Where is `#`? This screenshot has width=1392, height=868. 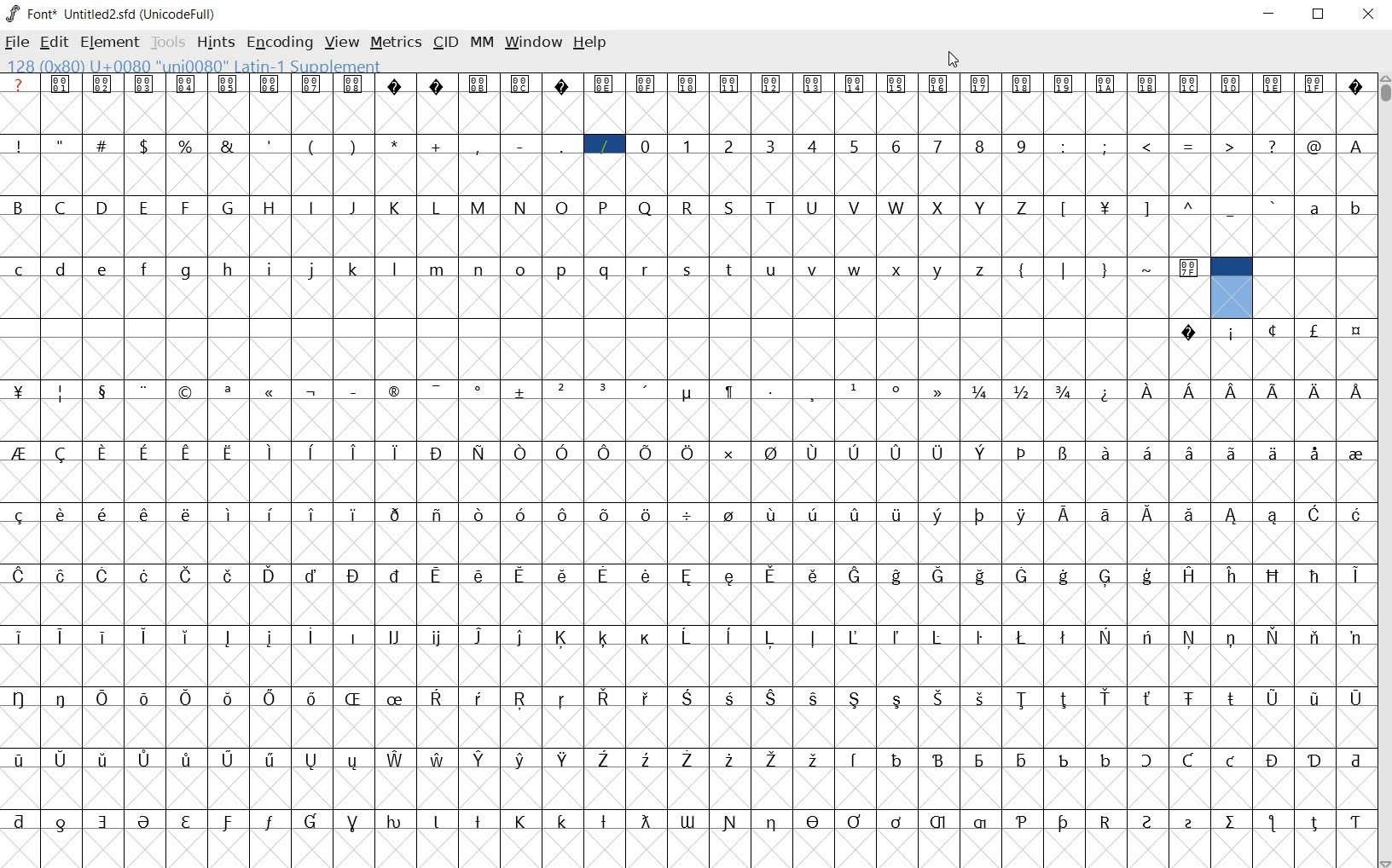 # is located at coordinates (104, 145).